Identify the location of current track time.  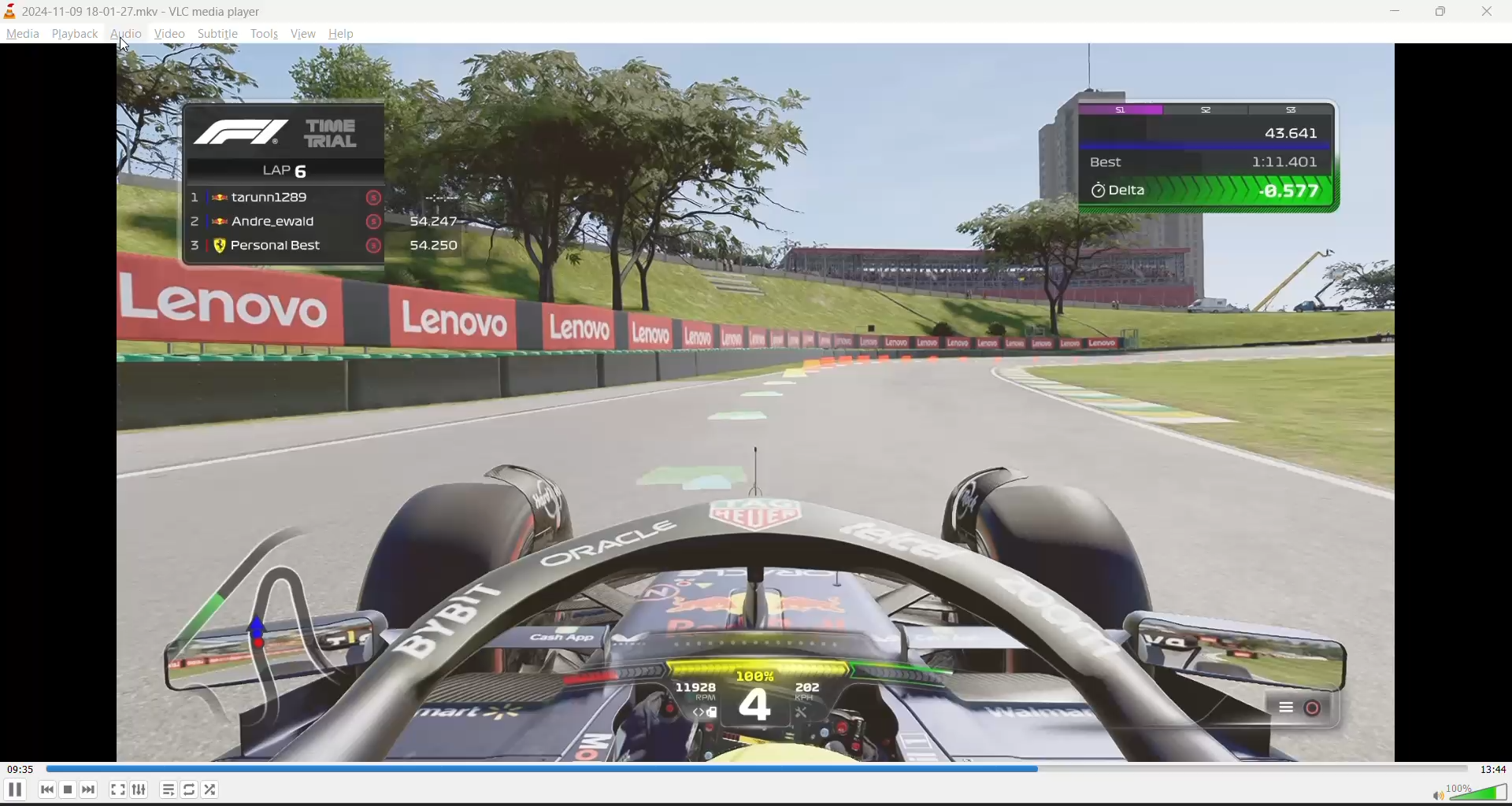
(20, 767).